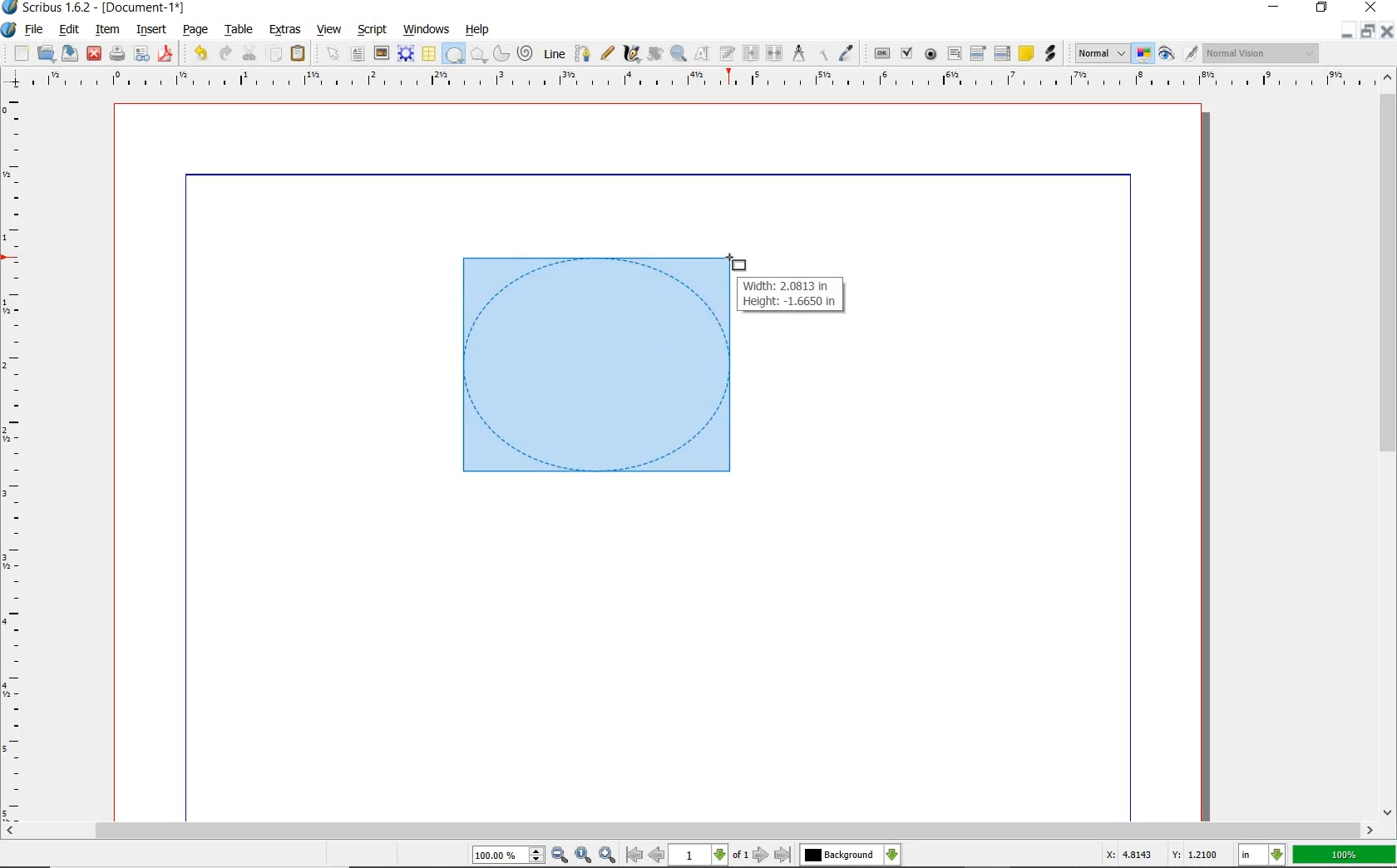 The height and width of the screenshot is (868, 1397). I want to click on , so click(840, 855).